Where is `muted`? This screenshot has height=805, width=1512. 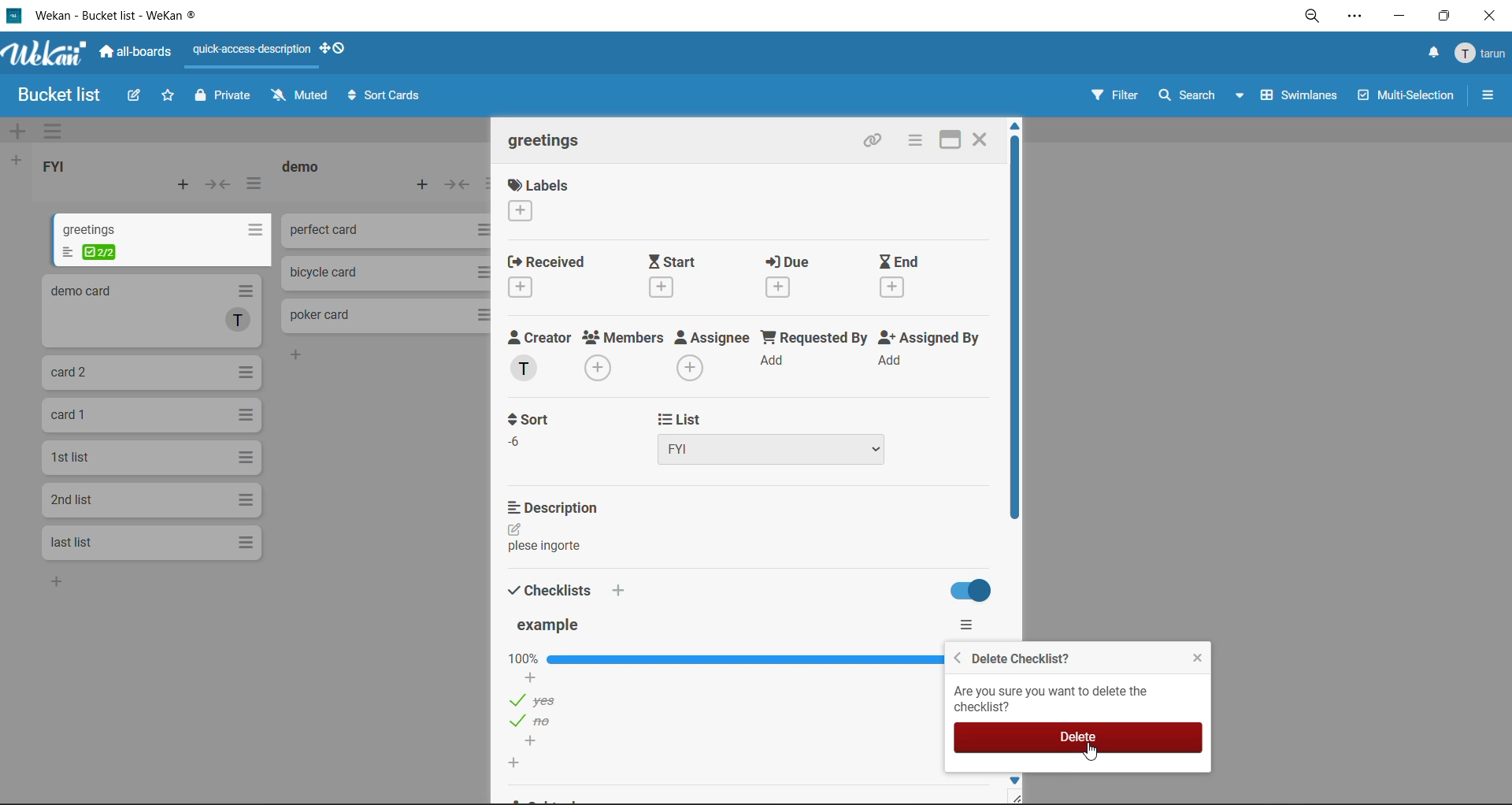 muted is located at coordinates (300, 95).